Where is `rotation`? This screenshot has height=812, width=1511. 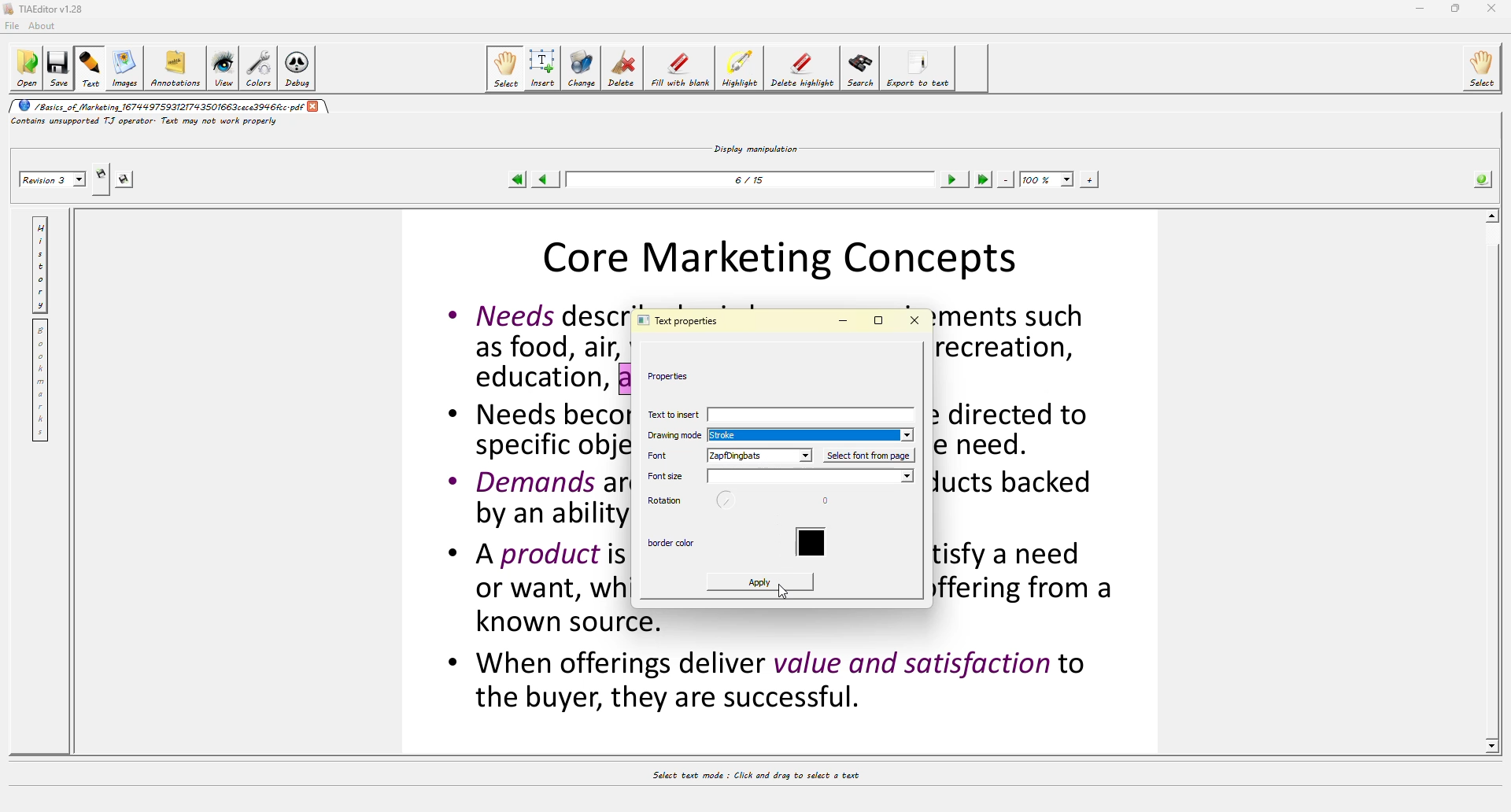 rotation is located at coordinates (663, 500).